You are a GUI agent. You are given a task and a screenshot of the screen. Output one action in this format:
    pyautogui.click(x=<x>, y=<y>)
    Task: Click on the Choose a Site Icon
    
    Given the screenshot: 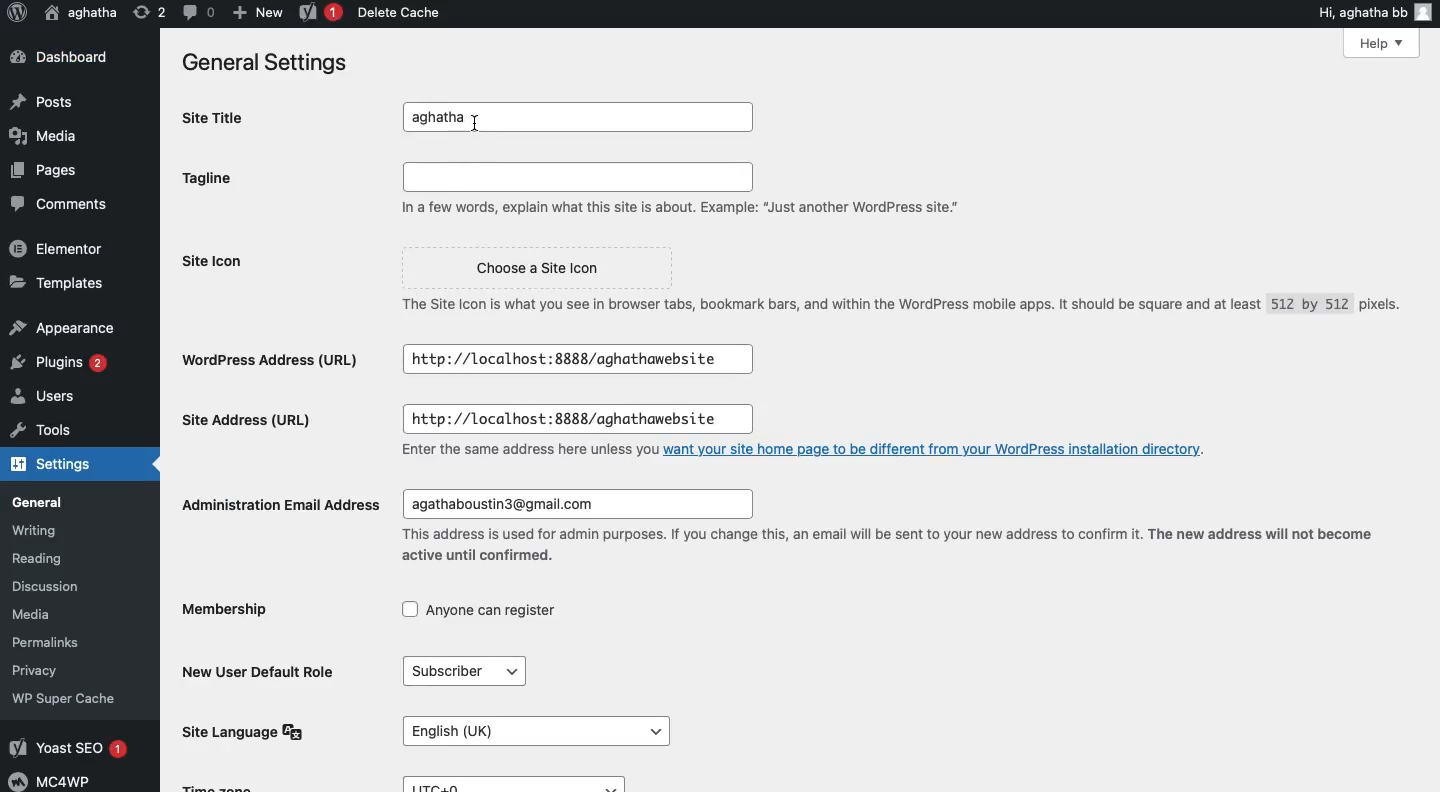 What is the action you would take?
    pyautogui.click(x=538, y=268)
    